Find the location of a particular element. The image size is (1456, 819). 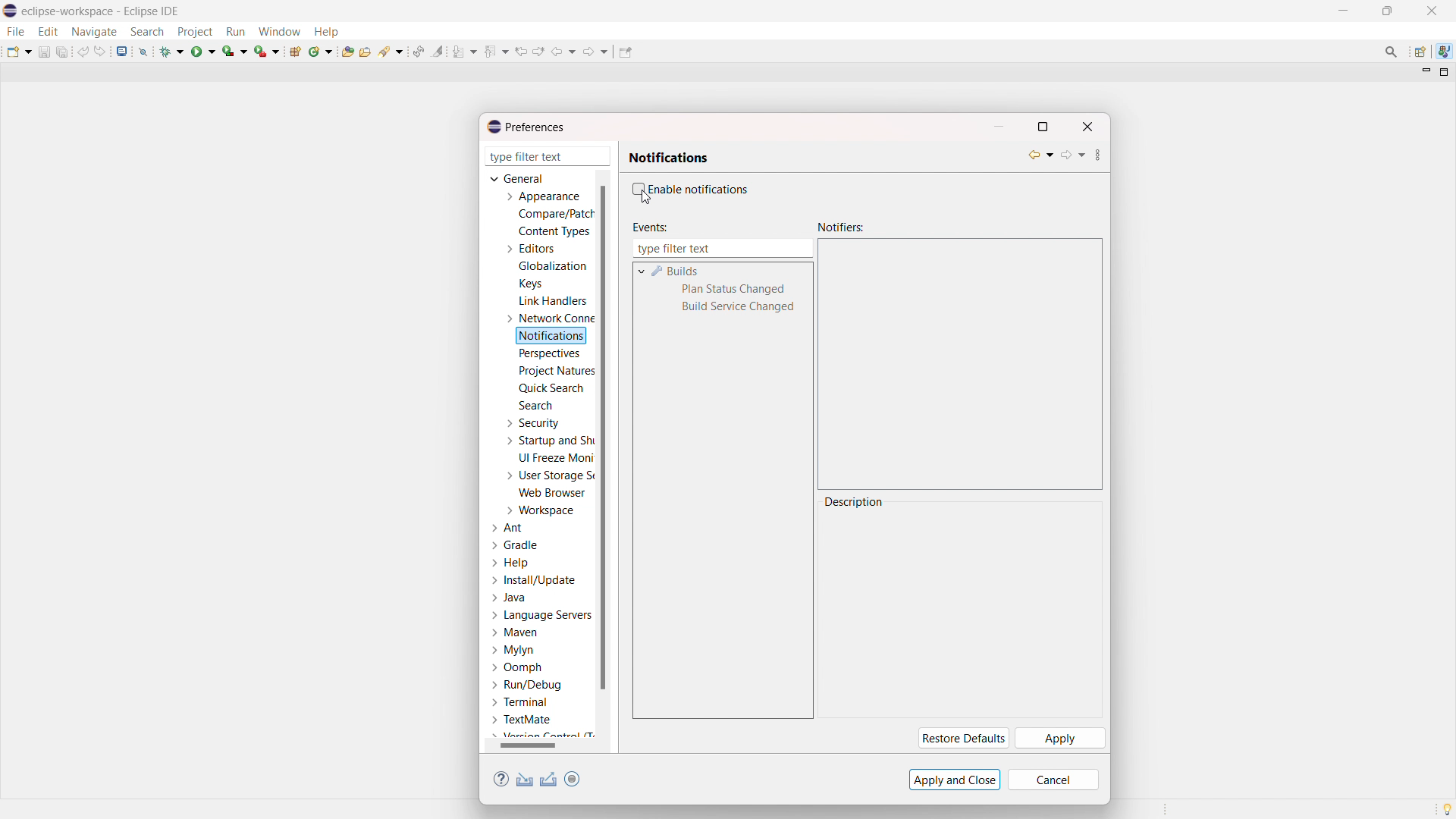

compare/patch is located at coordinates (553, 215).